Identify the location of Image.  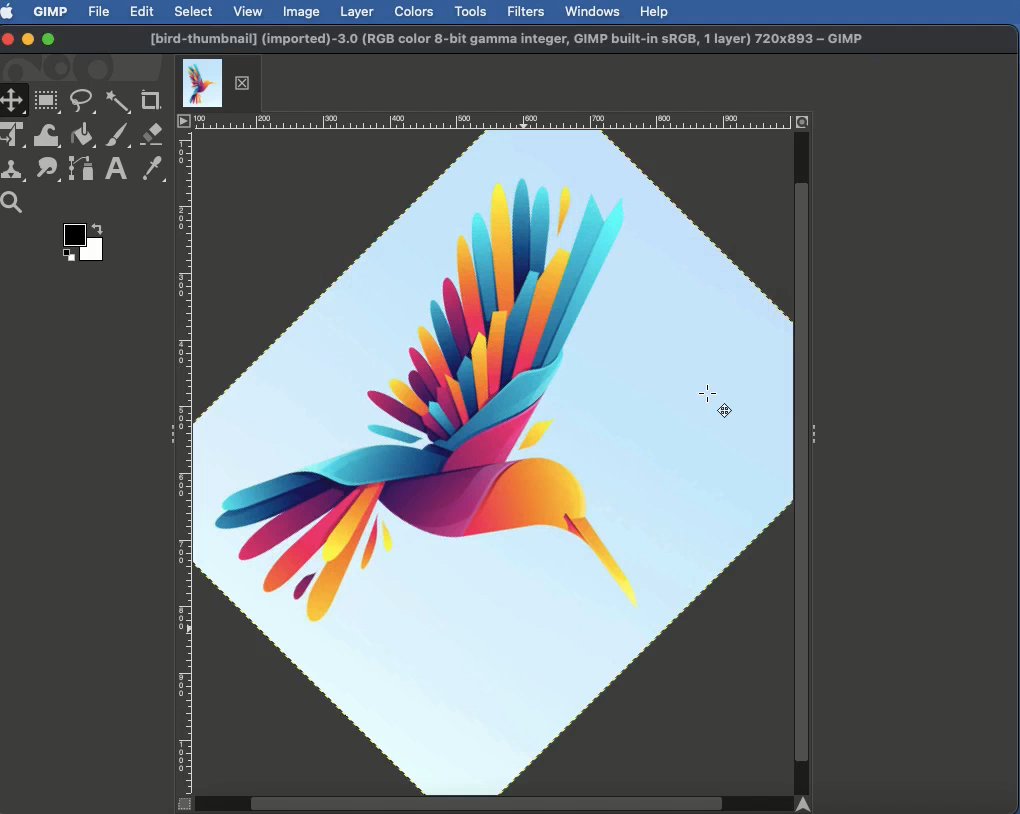
(302, 11).